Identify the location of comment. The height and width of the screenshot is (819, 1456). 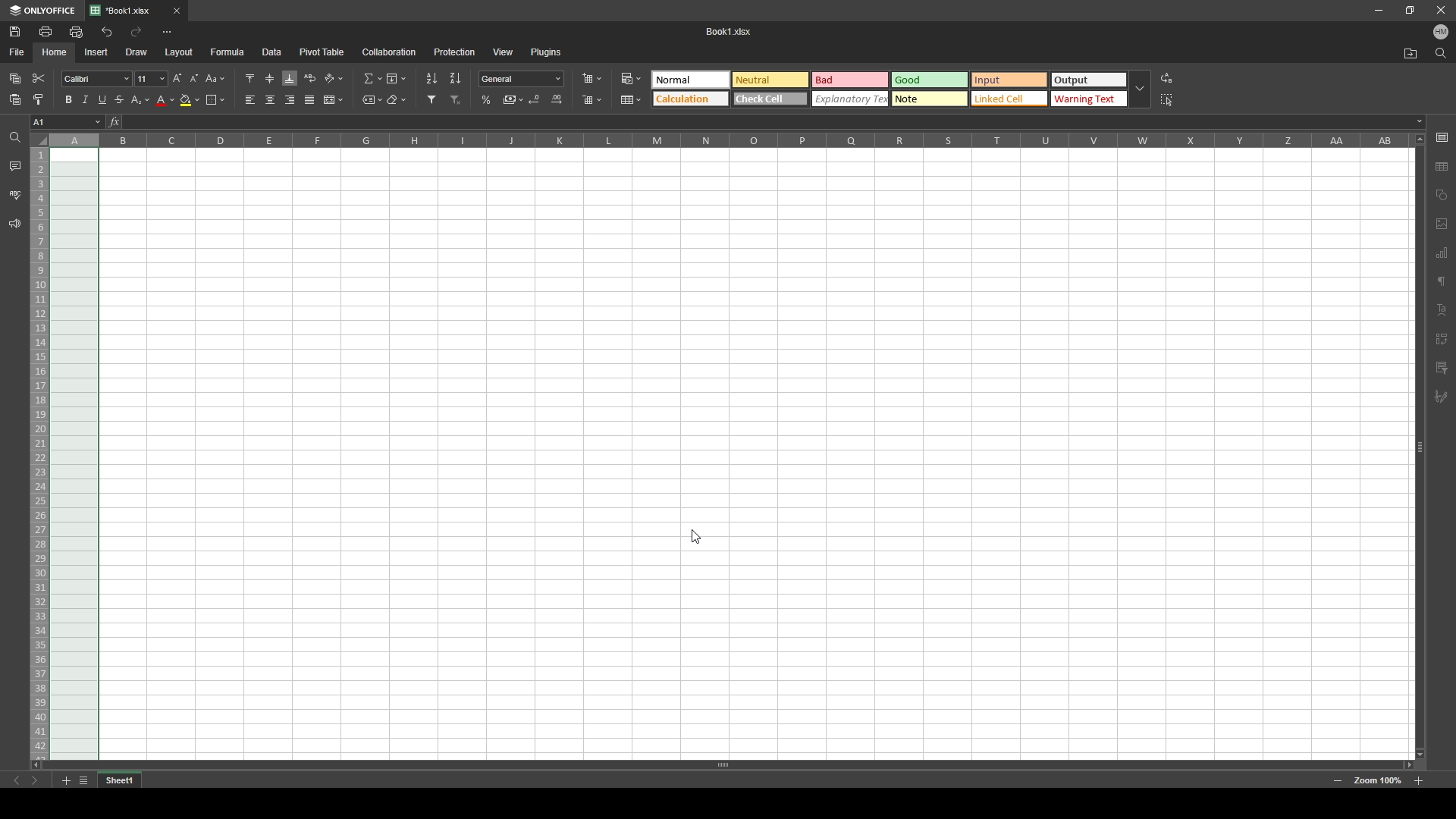
(1442, 366).